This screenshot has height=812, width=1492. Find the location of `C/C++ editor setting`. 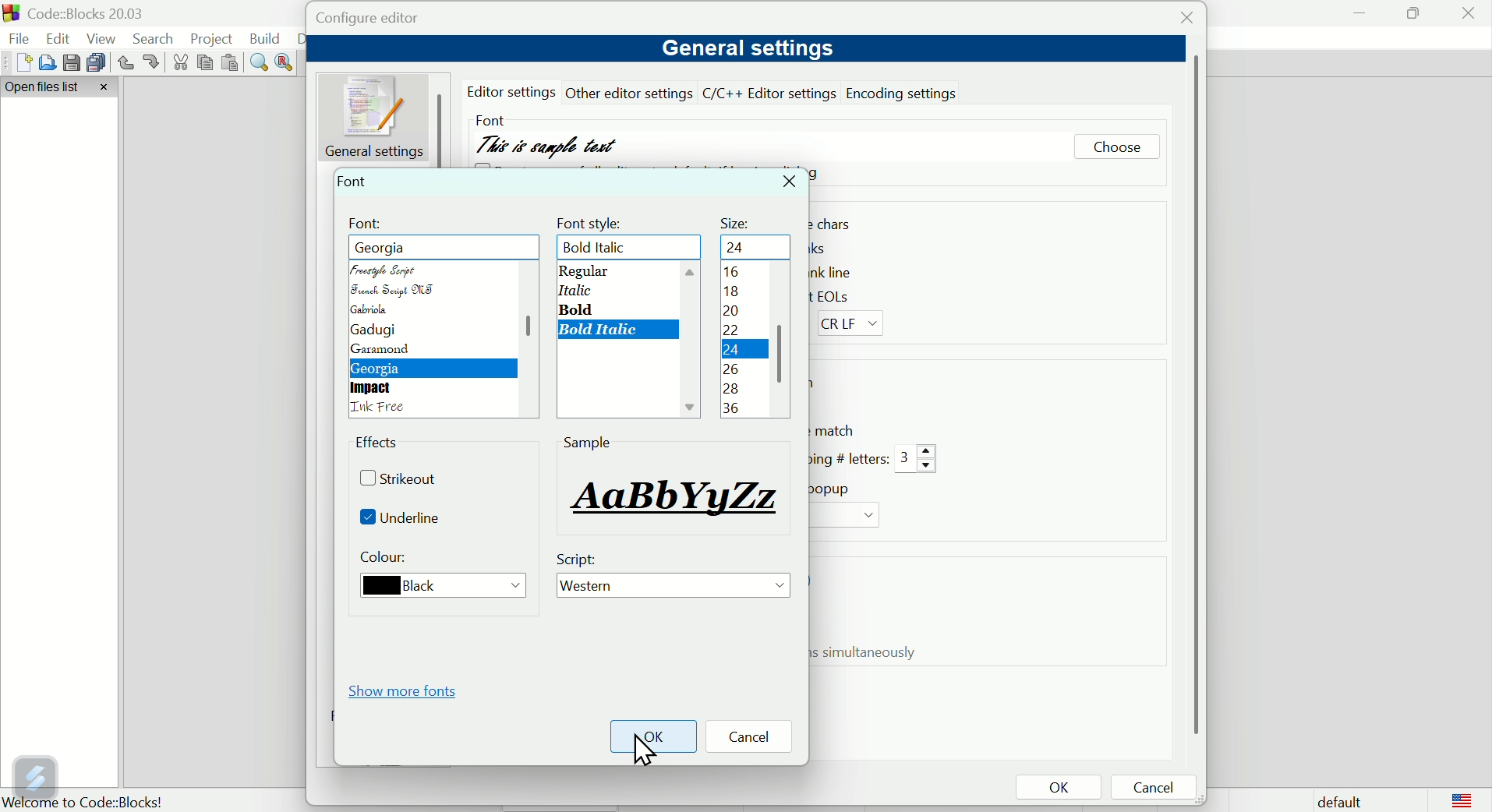

C/C++ editor setting is located at coordinates (770, 94).